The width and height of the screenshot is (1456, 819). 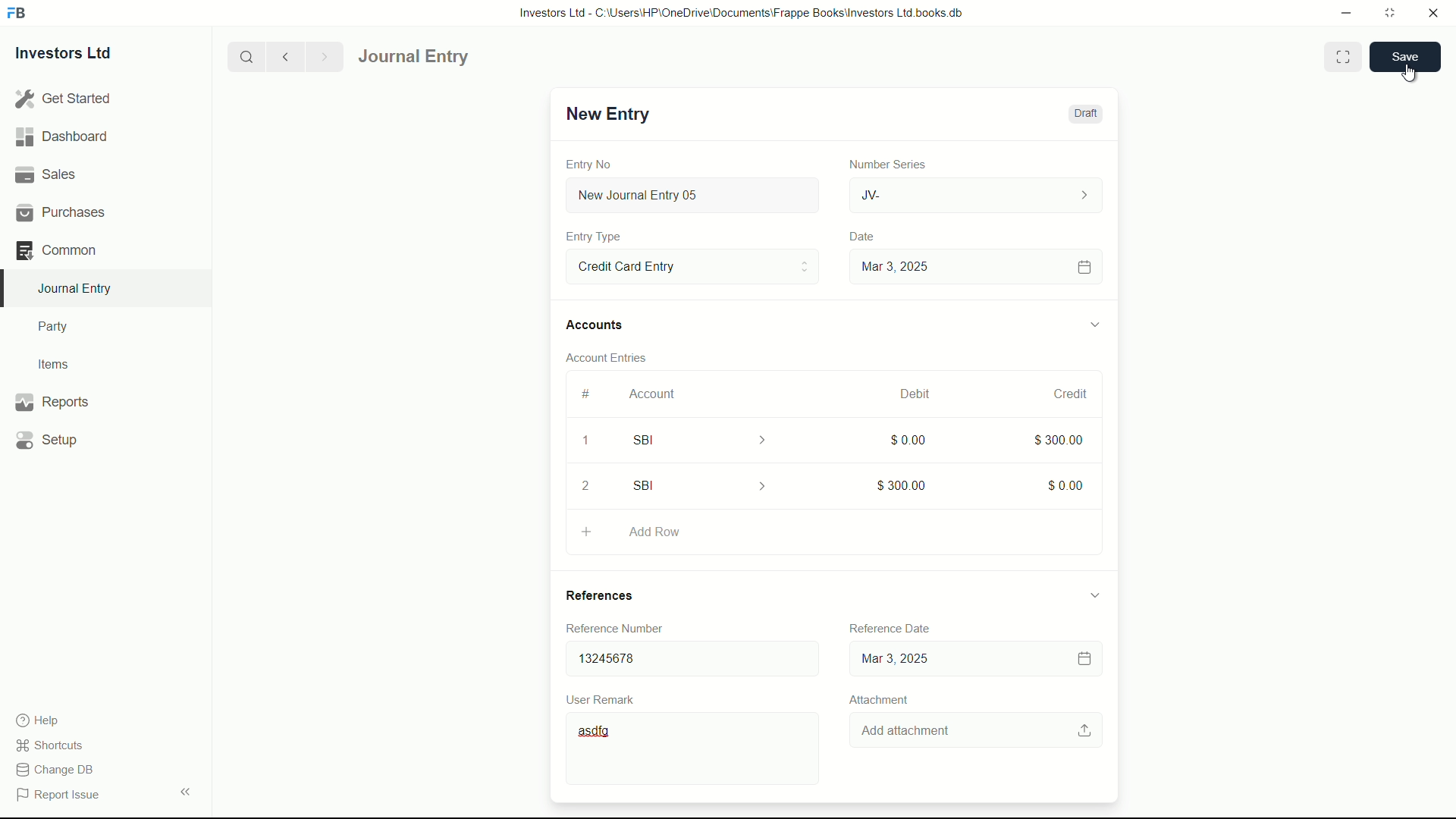 I want to click on save, so click(x=1406, y=57).